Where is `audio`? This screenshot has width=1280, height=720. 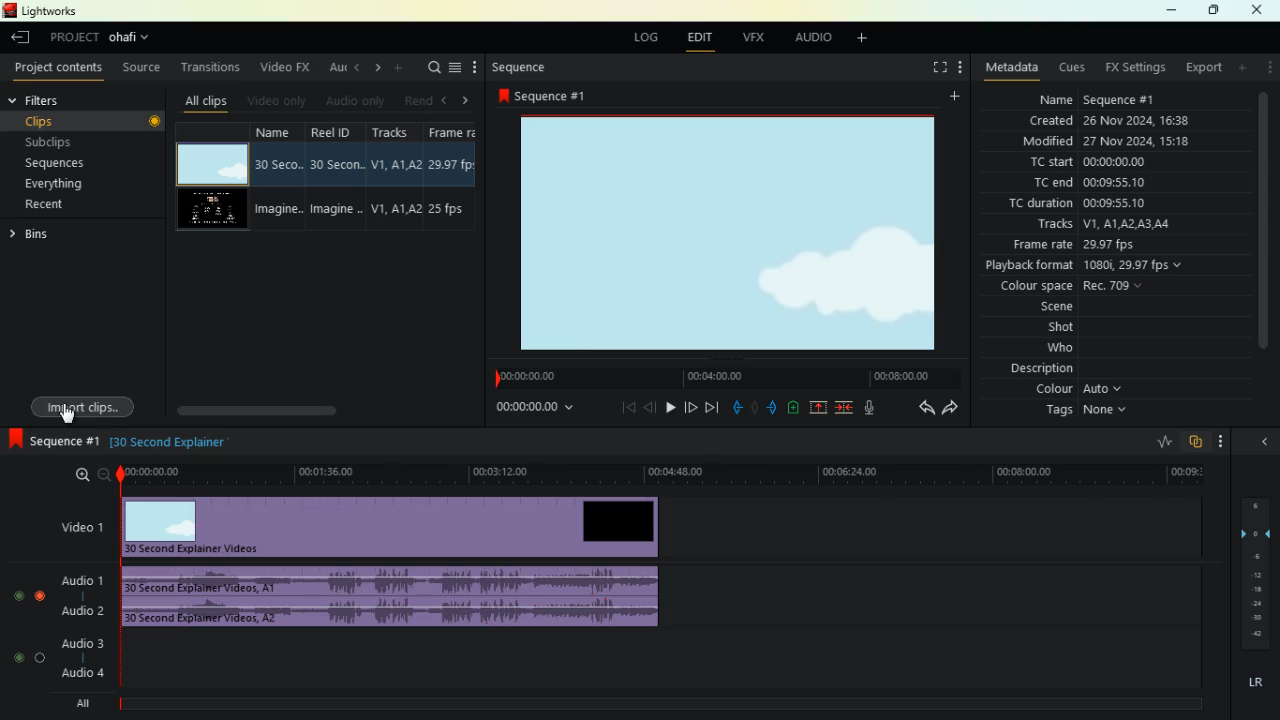
audio is located at coordinates (815, 40).